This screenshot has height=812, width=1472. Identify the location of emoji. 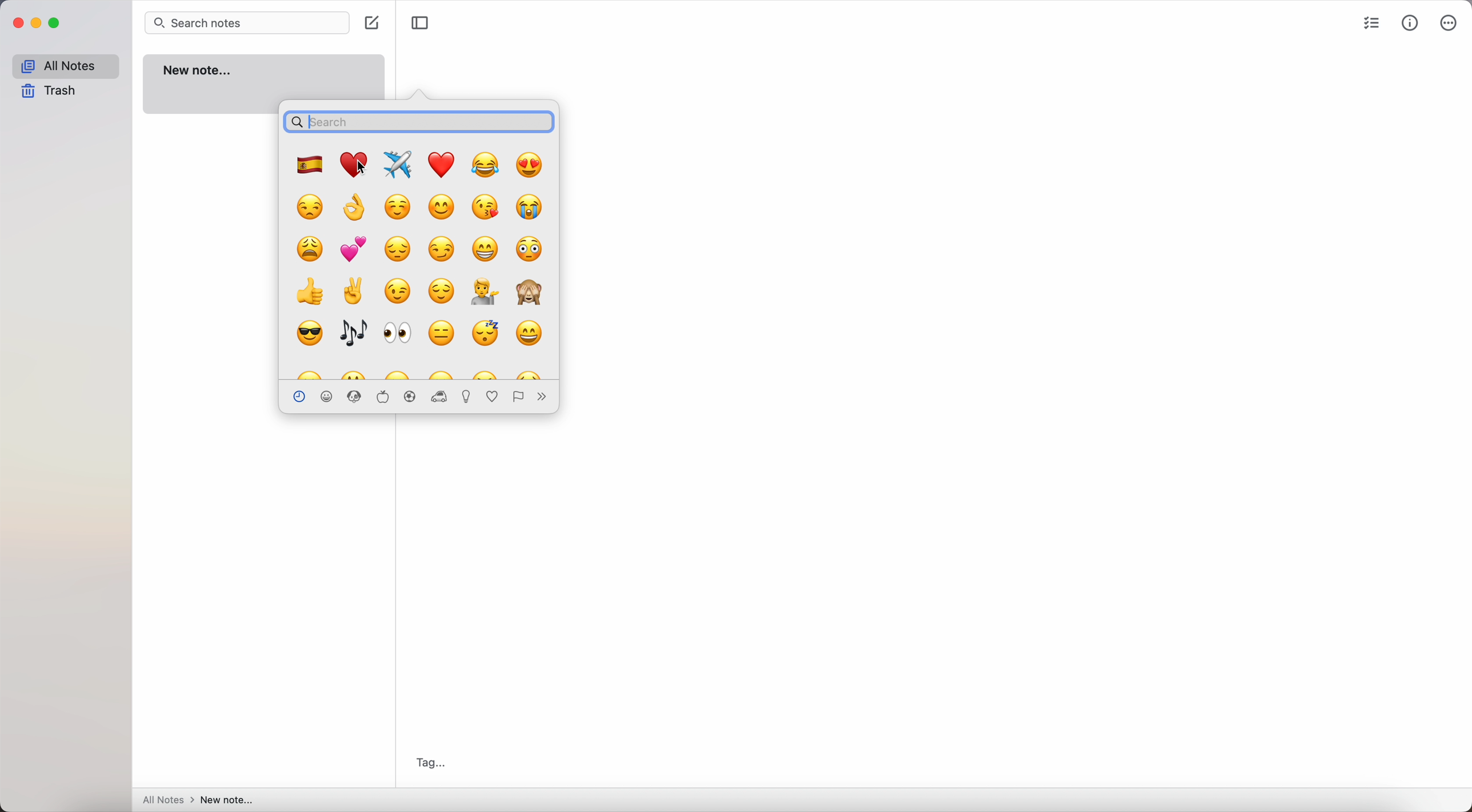
(484, 372).